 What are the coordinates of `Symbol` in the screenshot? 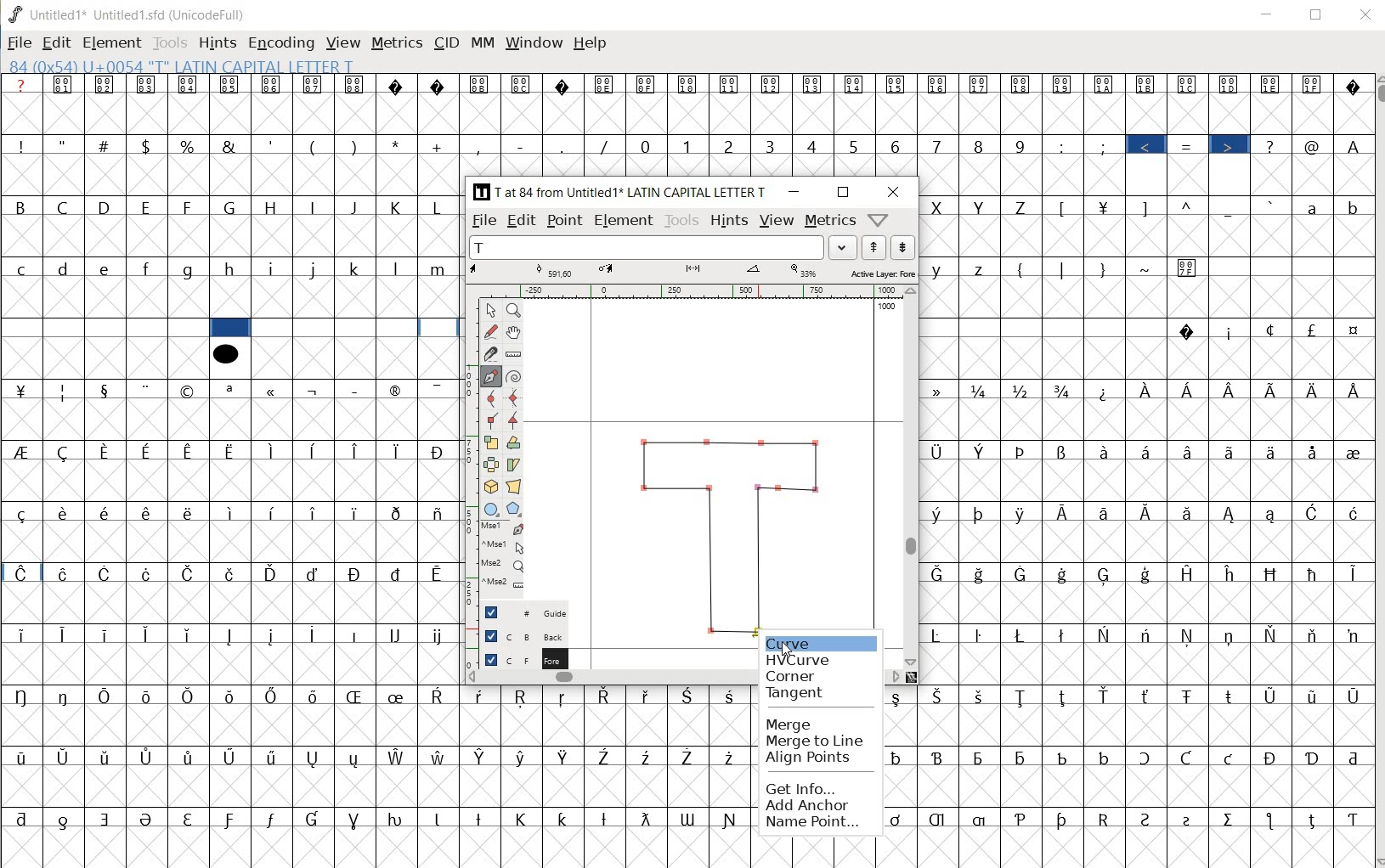 It's located at (64, 391).